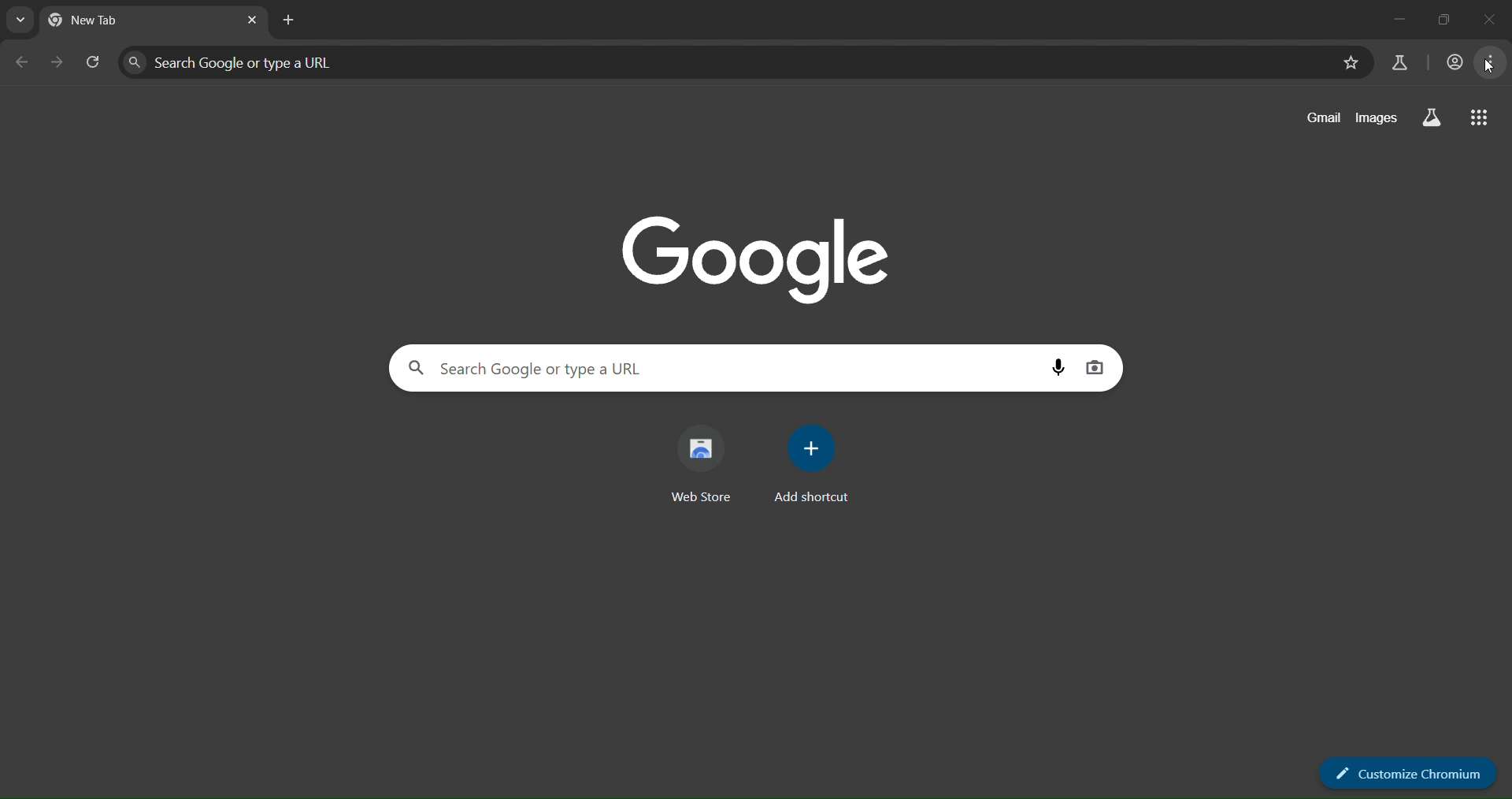  What do you see at coordinates (1483, 69) in the screenshot?
I see `cursor` at bounding box center [1483, 69].